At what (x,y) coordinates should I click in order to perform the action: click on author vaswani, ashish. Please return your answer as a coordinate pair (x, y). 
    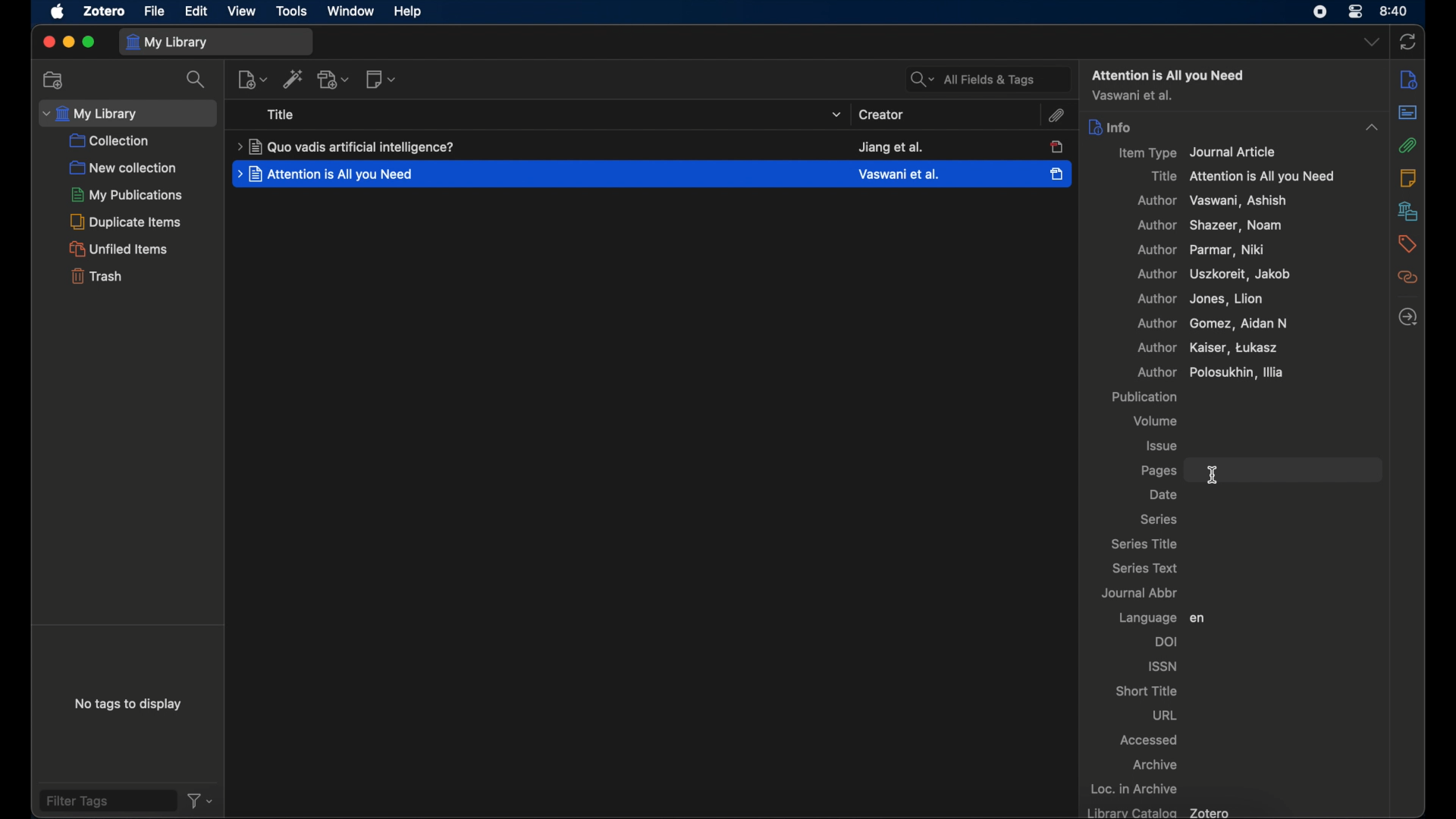
    Looking at the image, I should click on (1212, 201).